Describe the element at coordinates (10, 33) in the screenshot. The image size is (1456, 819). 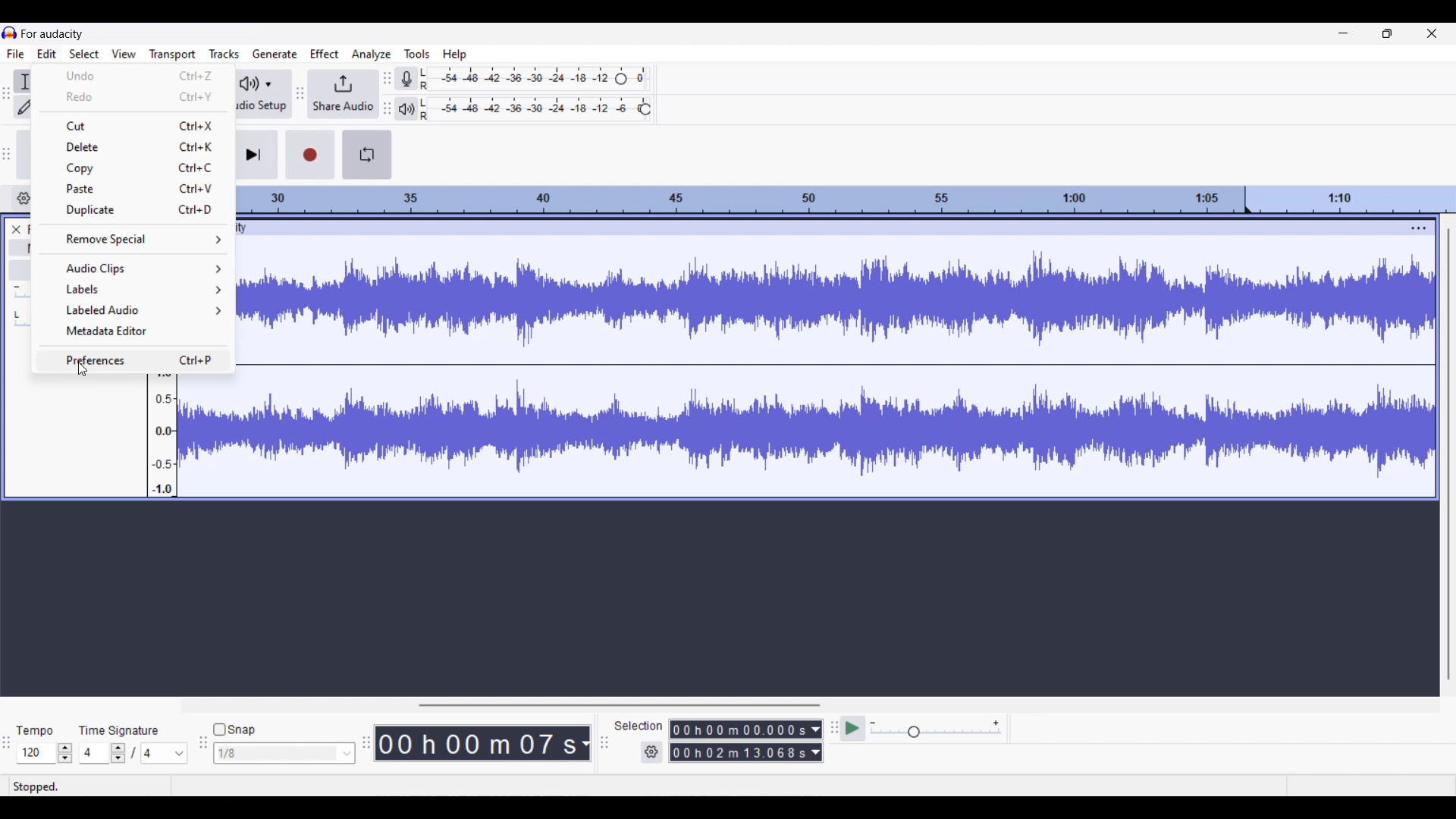
I see `Software logo` at that location.